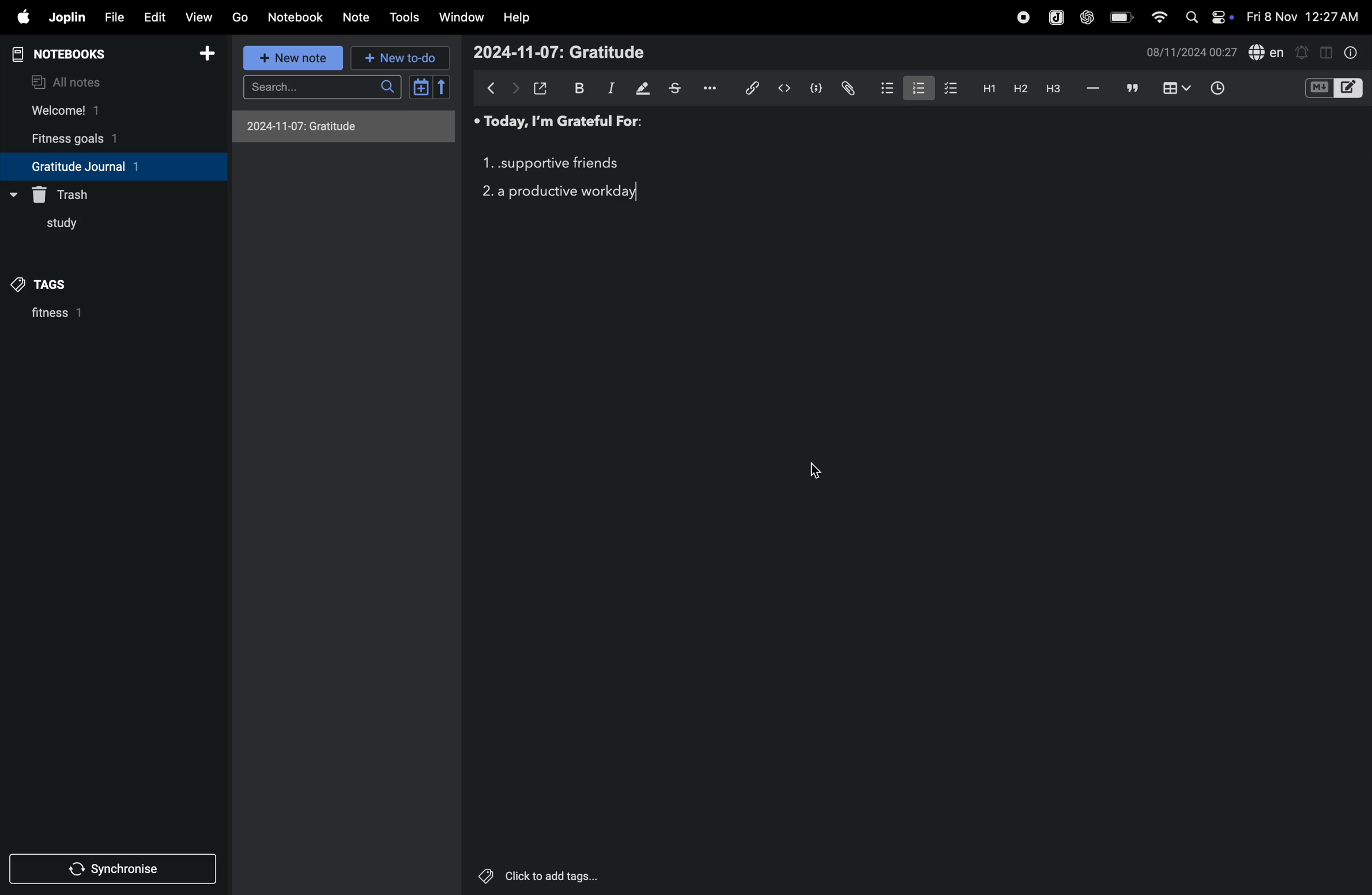 The height and width of the screenshot is (895, 1372). I want to click on strike through, so click(680, 89).